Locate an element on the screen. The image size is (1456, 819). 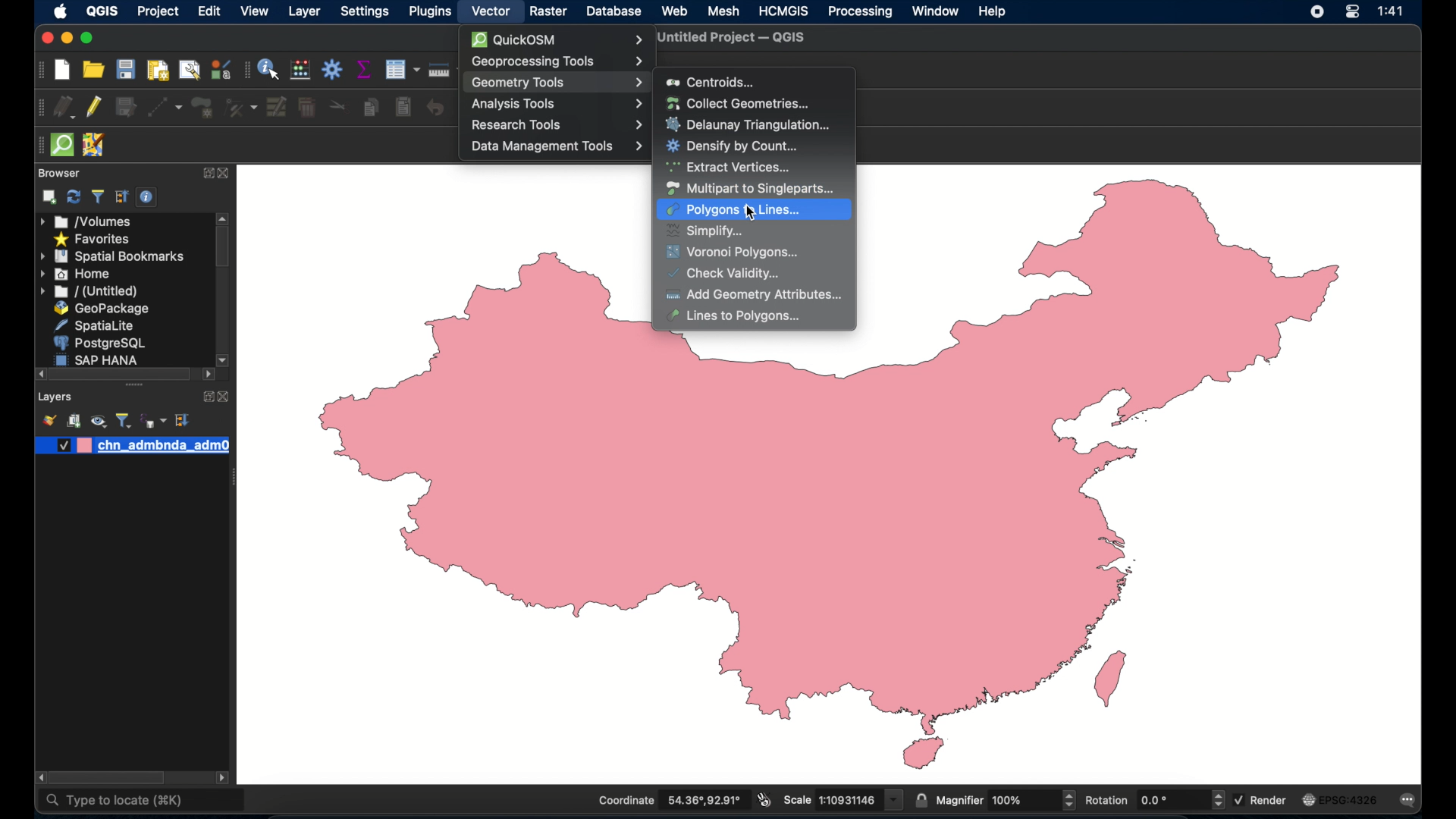
save edits is located at coordinates (125, 108).